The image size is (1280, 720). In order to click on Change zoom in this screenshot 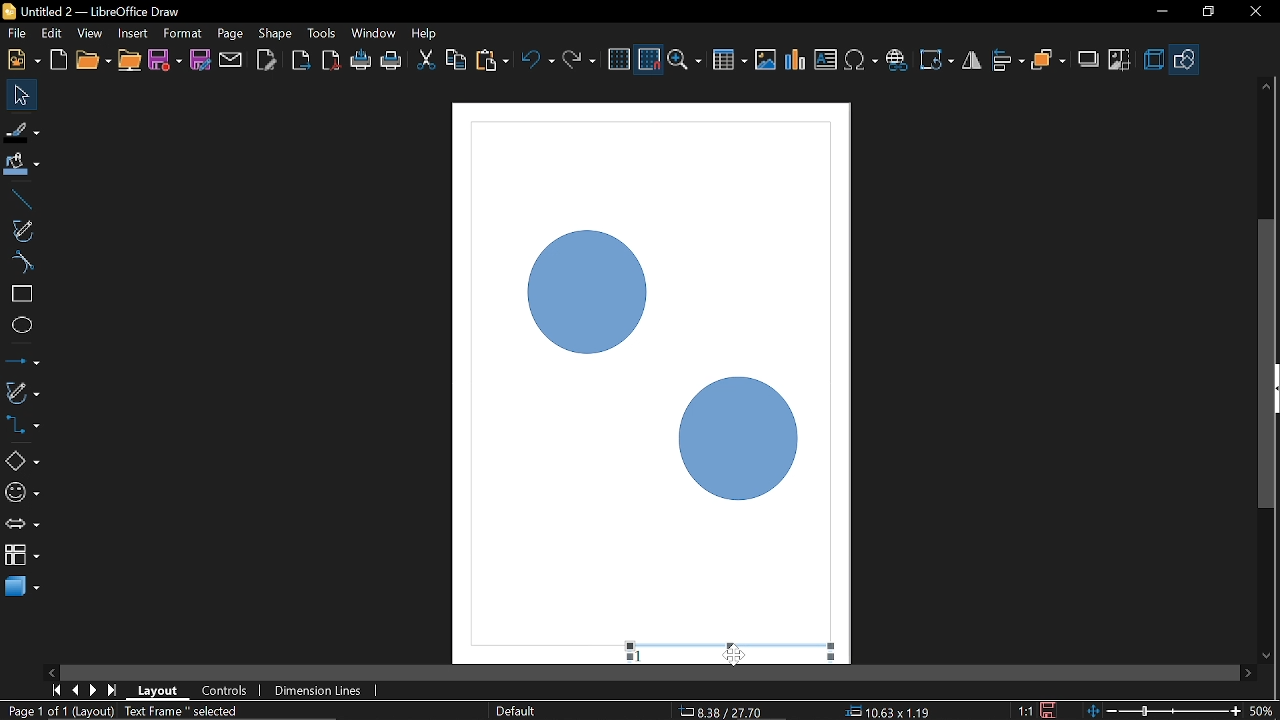, I will do `click(1166, 709)`.